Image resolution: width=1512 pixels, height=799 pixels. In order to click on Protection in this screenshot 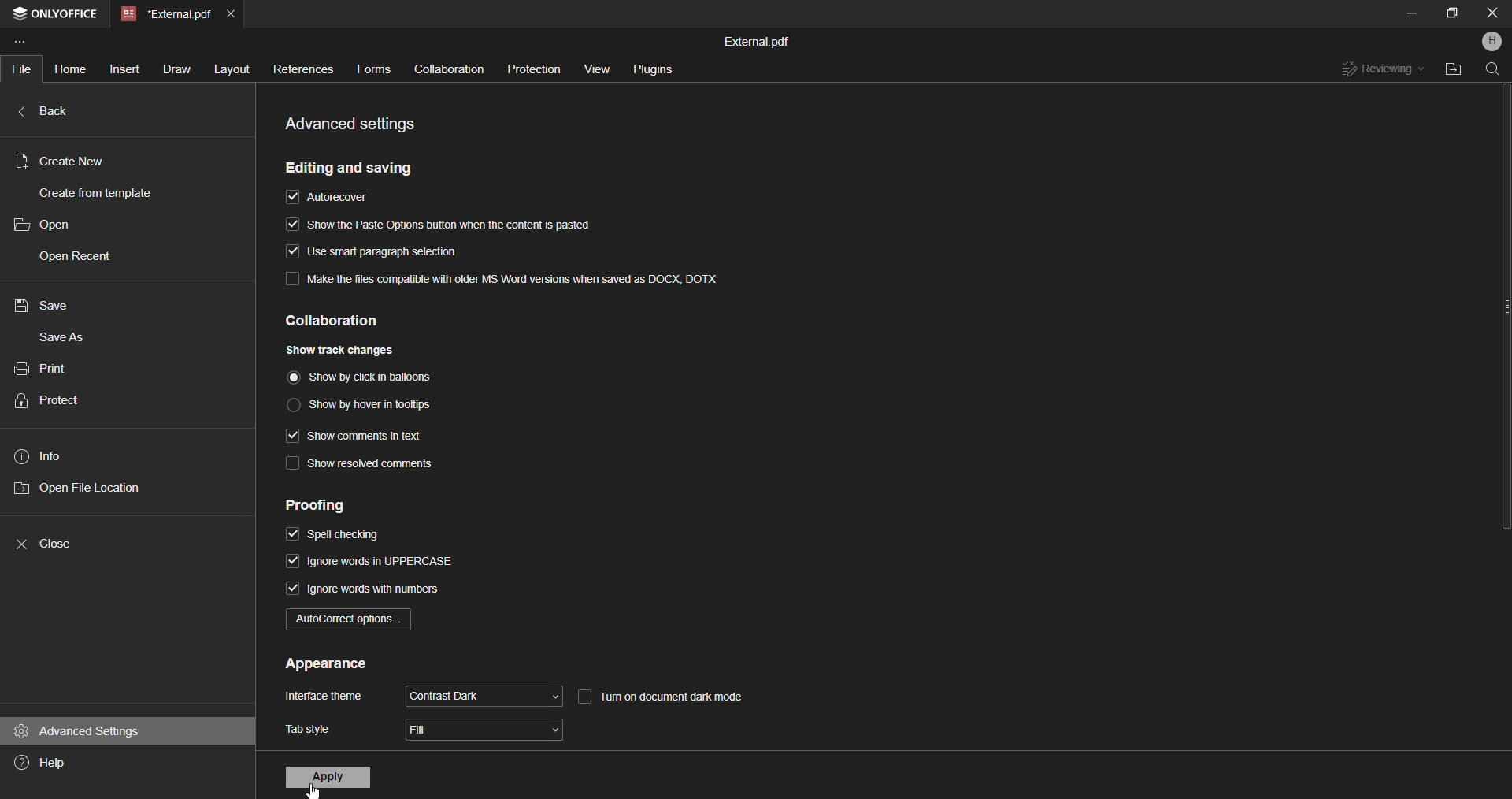, I will do `click(531, 69)`.